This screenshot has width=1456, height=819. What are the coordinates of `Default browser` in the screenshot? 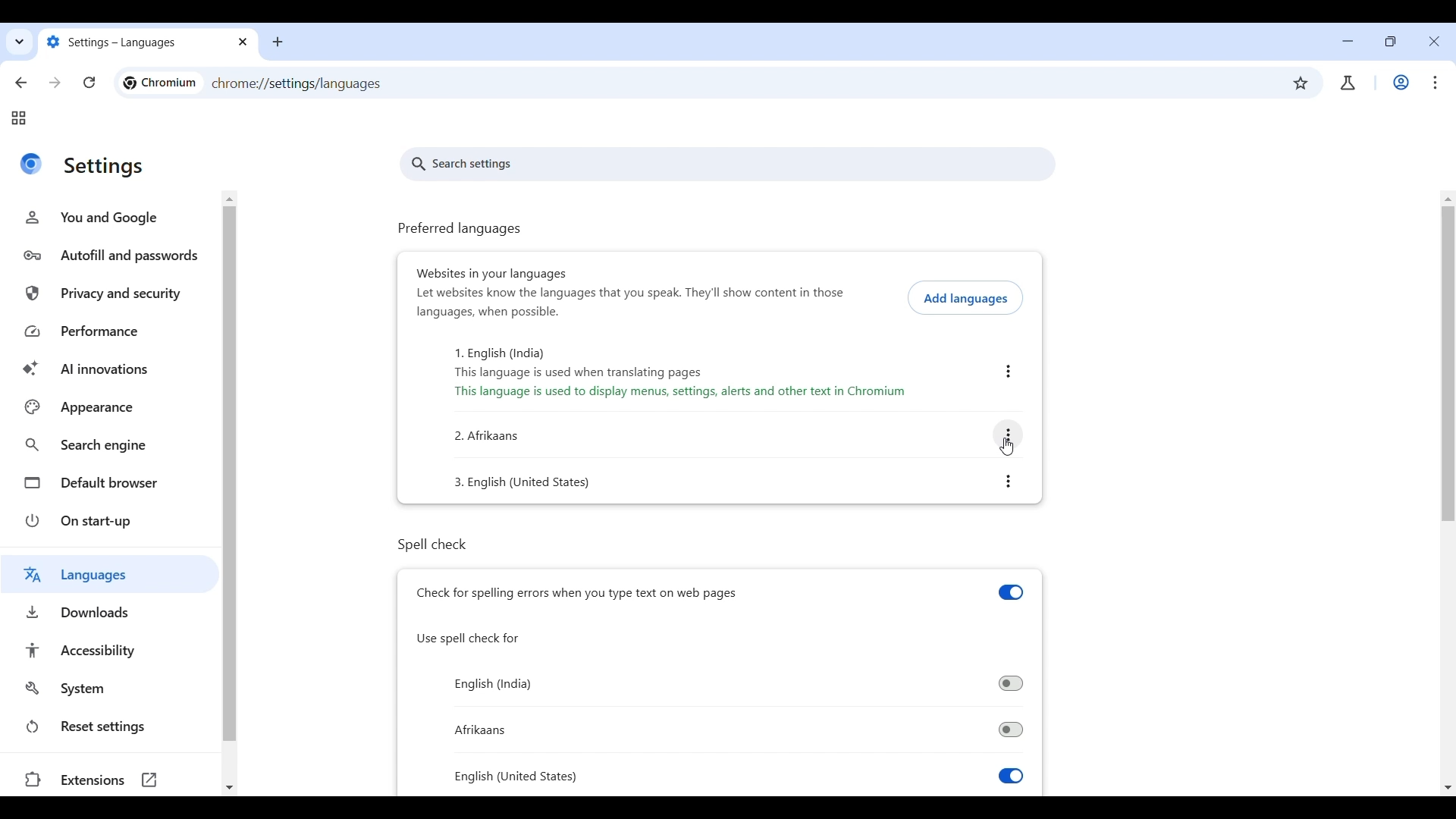 It's located at (113, 482).